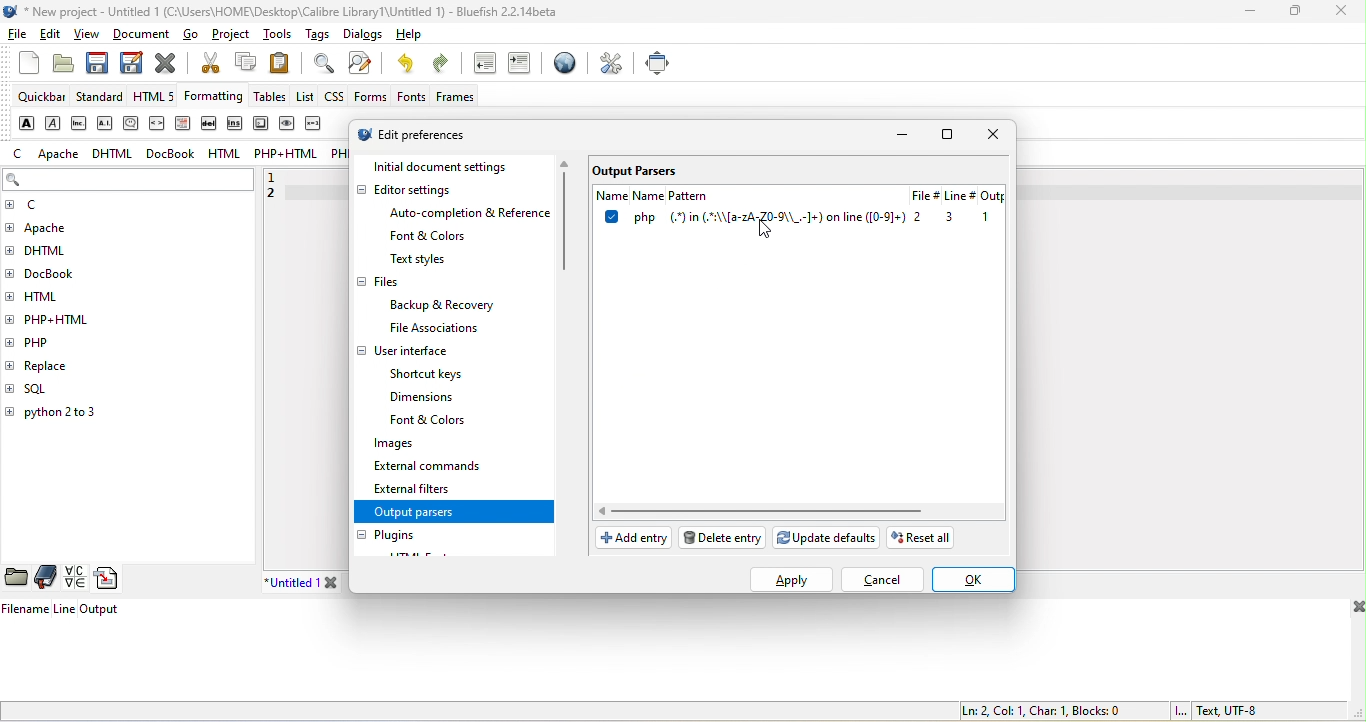 The image size is (1366, 722). Describe the element at coordinates (385, 445) in the screenshot. I see `images` at that location.